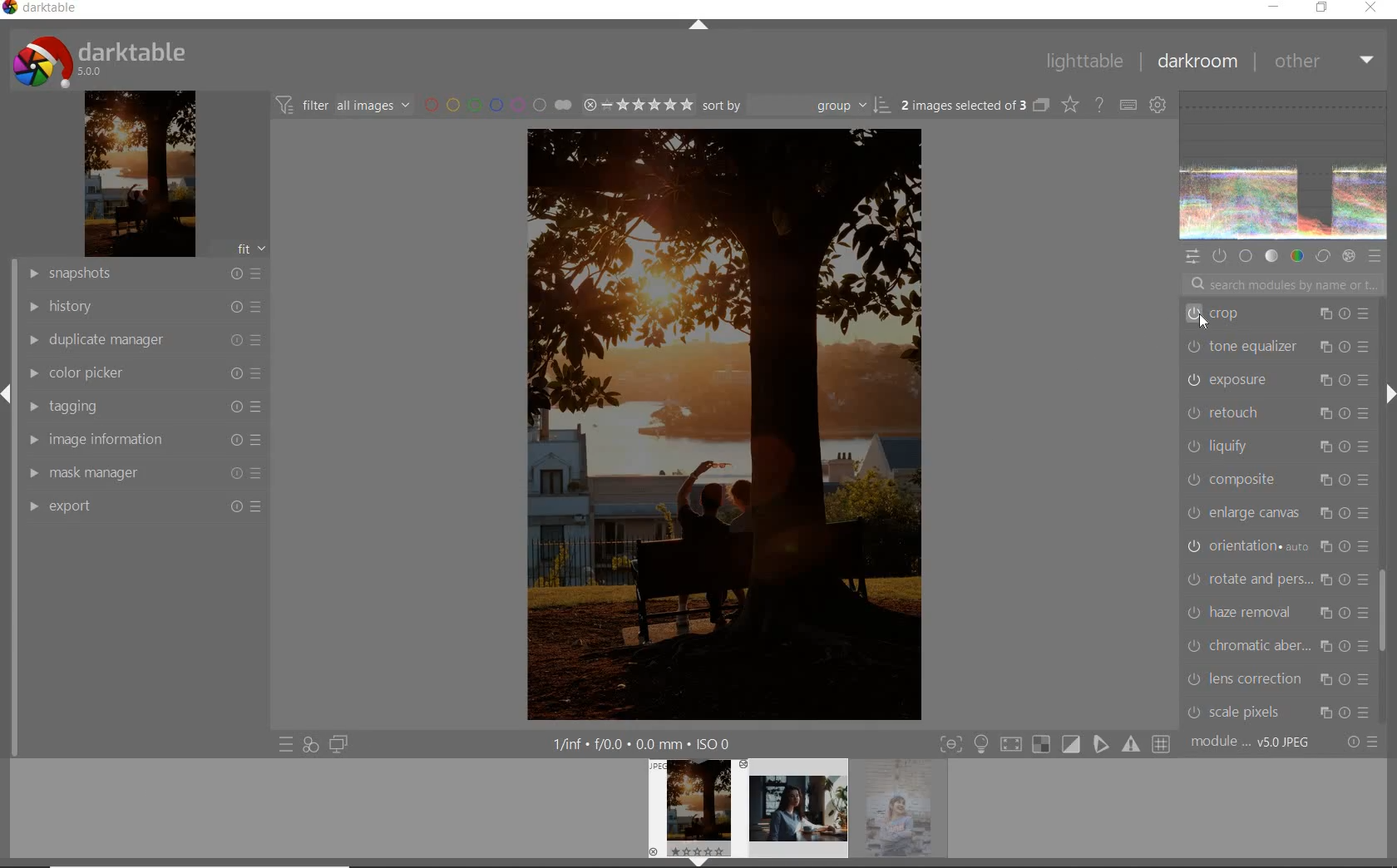 The height and width of the screenshot is (868, 1397). Describe the element at coordinates (1349, 257) in the screenshot. I see `effect ` at that location.